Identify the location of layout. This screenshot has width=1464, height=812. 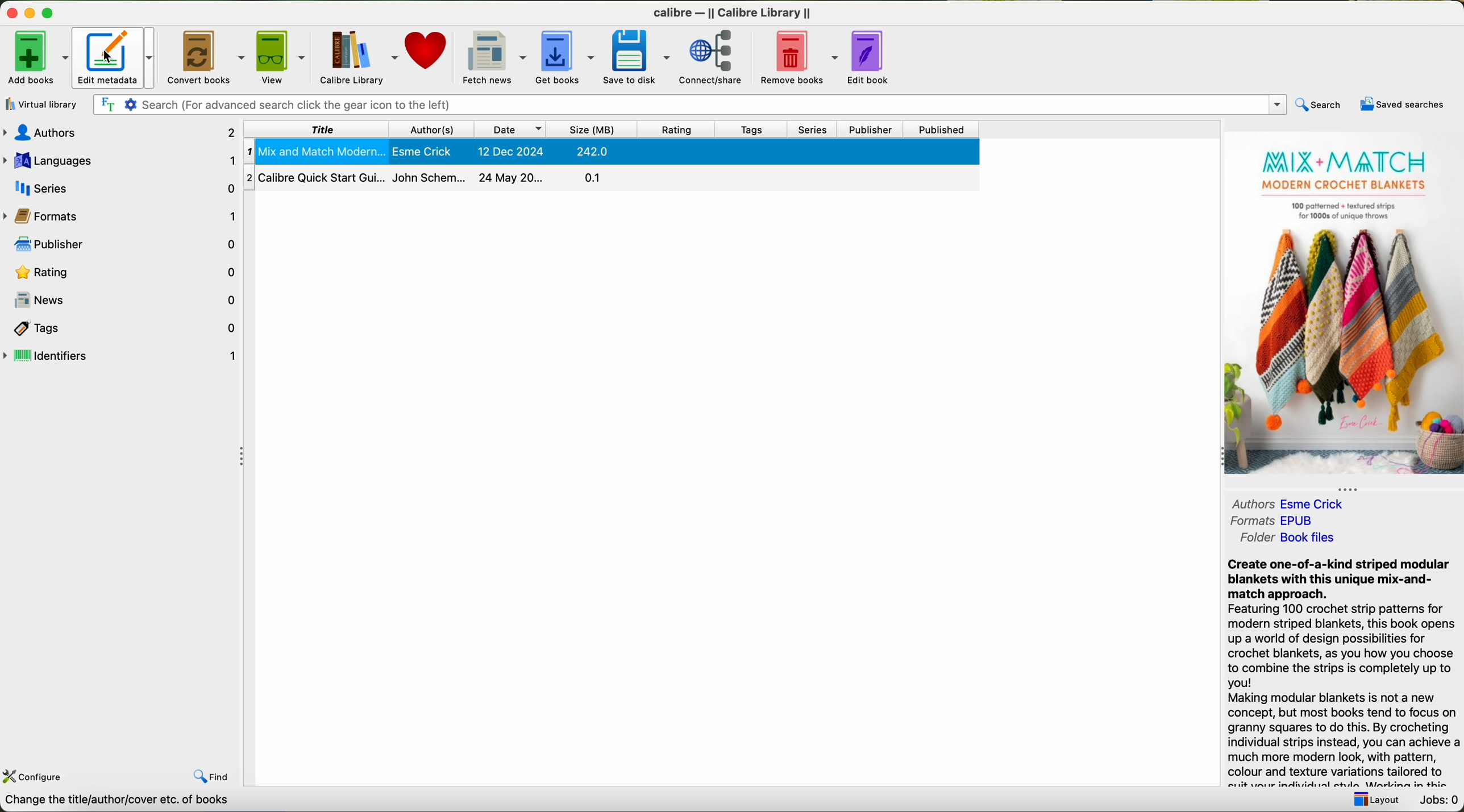
(1374, 799).